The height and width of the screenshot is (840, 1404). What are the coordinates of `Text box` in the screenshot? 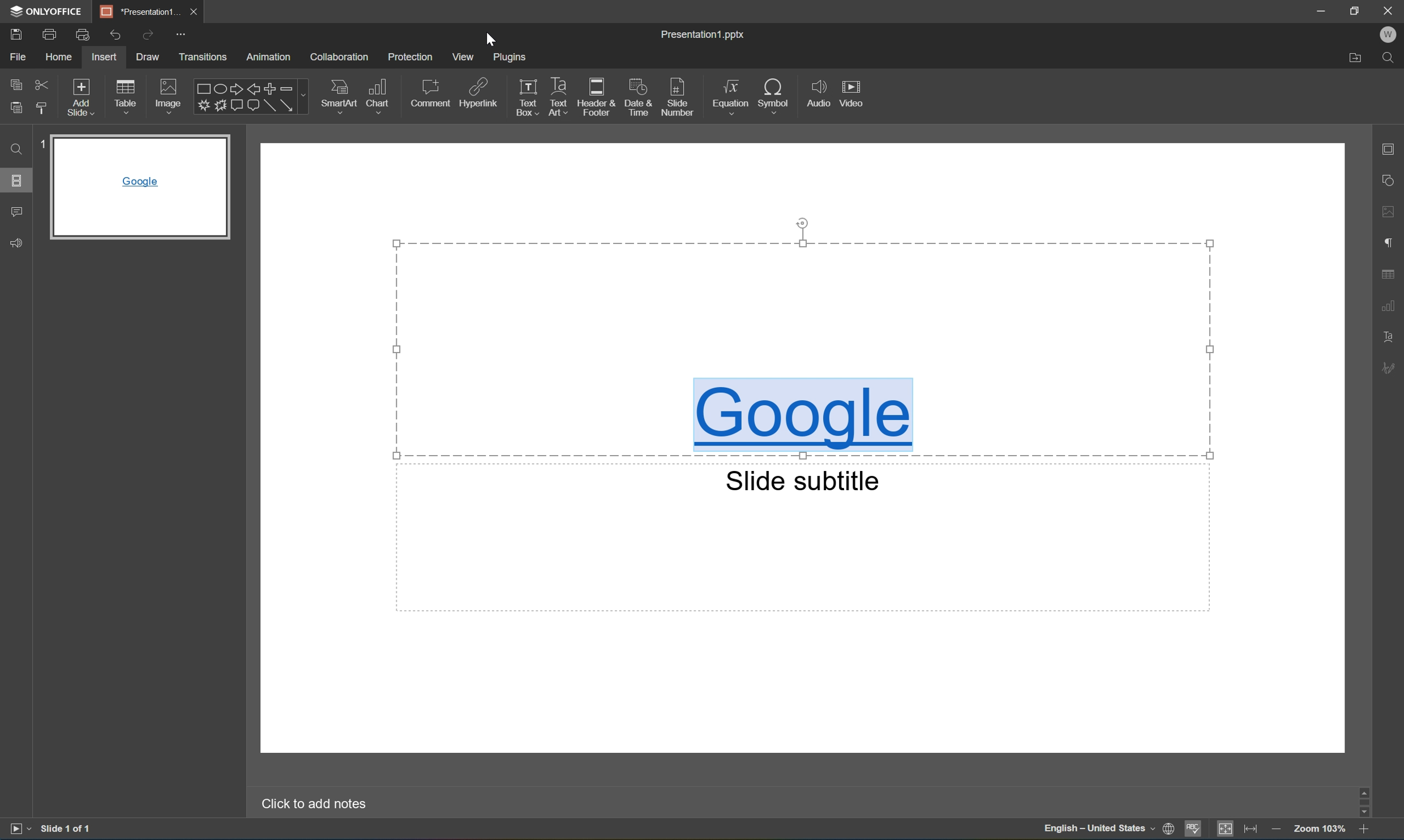 It's located at (526, 96).